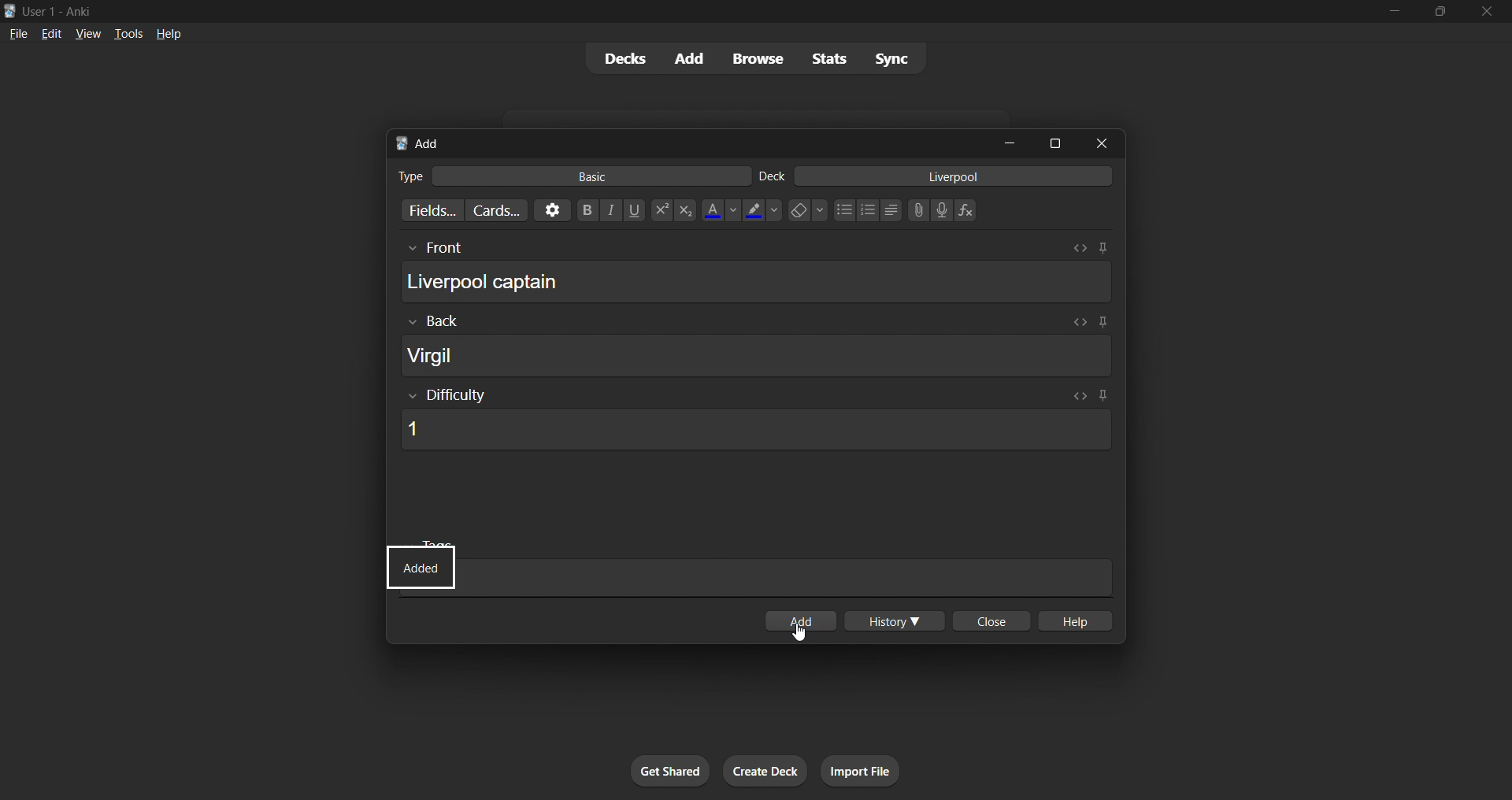 The image size is (1512, 800). Describe the element at coordinates (762, 210) in the screenshot. I see `Text highlighting color` at that location.